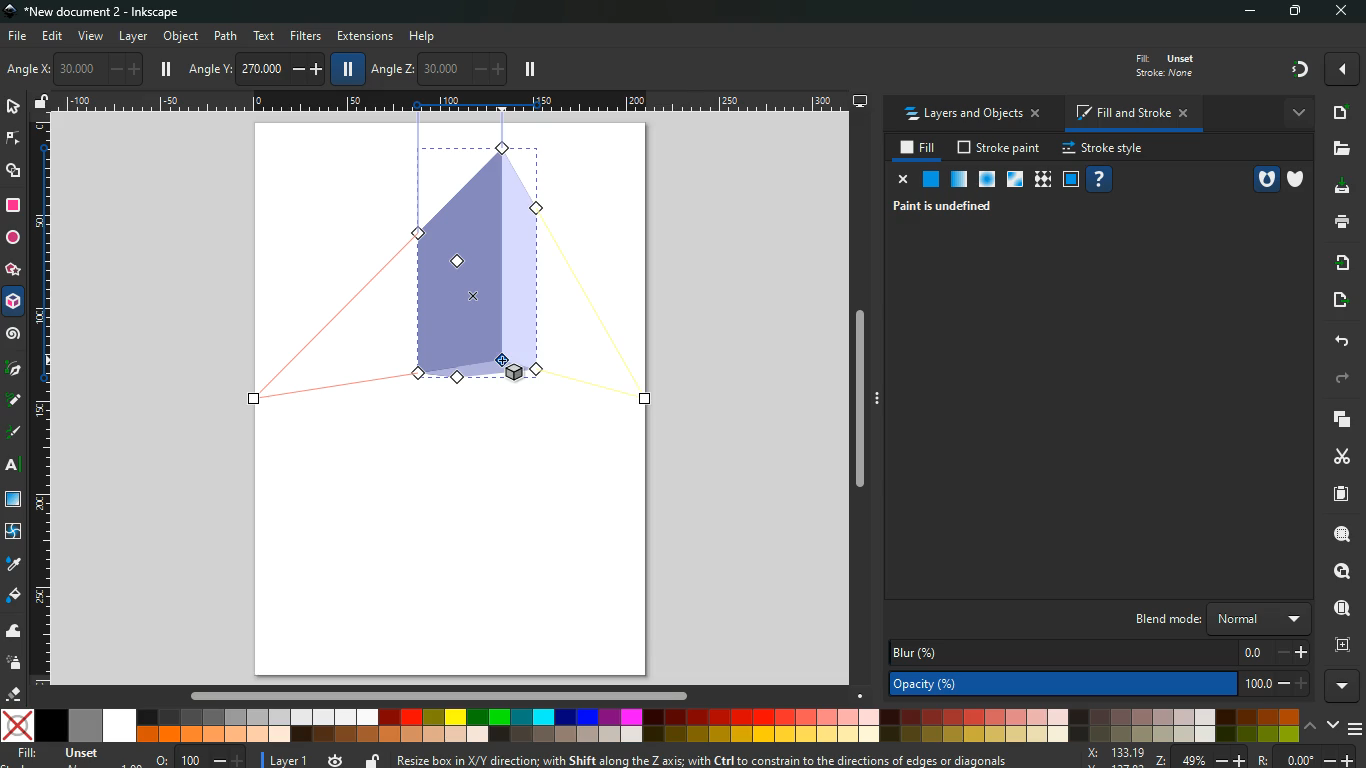 This screenshot has height=768, width=1366. What do you see at coordinates (1335, 301) in the screenshot?
I see `send` at bounding box center [1335, 301].